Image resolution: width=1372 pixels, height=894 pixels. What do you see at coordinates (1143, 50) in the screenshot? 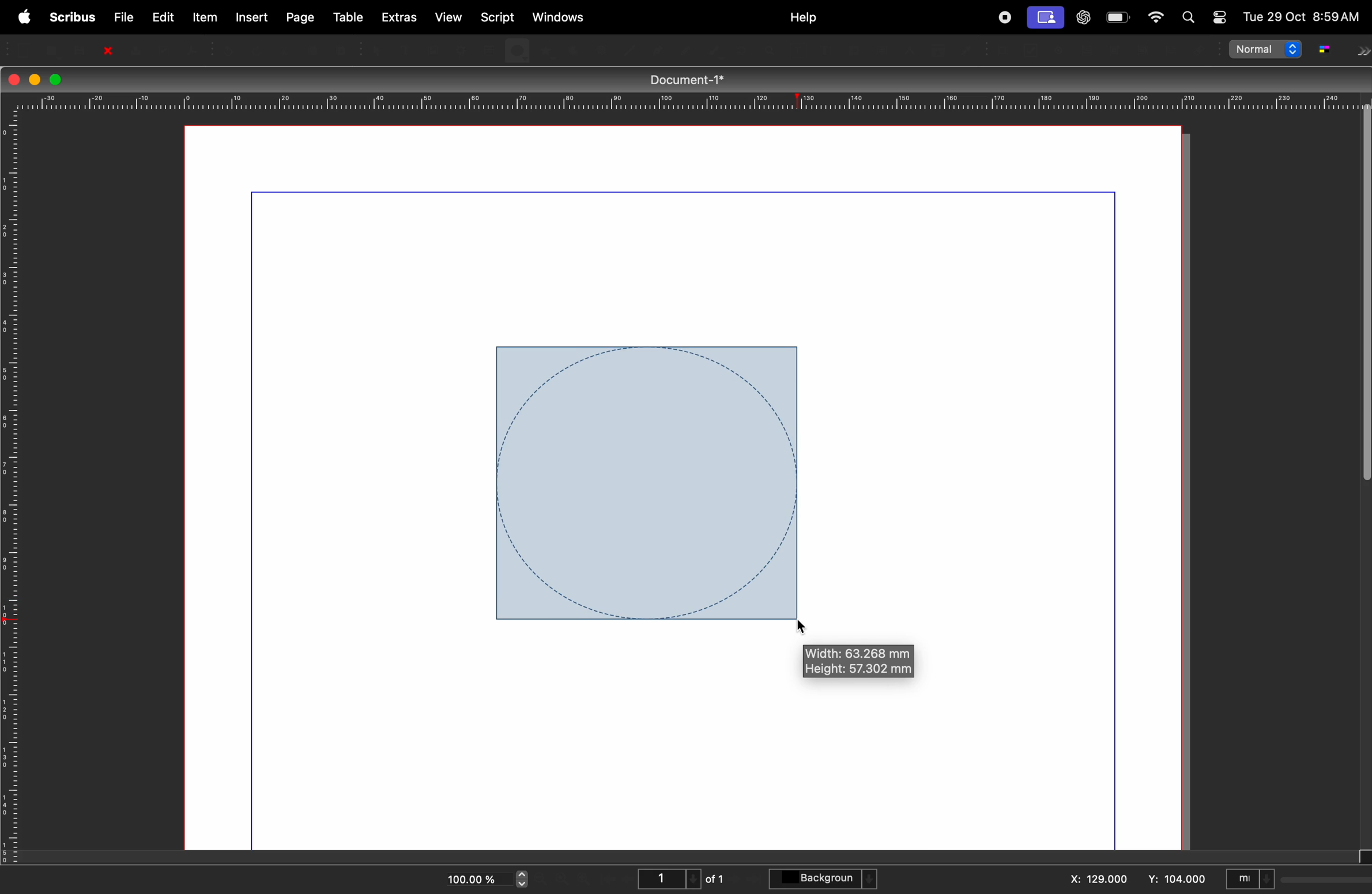
I see `pdf list box` at bounding box center [1143, 50].